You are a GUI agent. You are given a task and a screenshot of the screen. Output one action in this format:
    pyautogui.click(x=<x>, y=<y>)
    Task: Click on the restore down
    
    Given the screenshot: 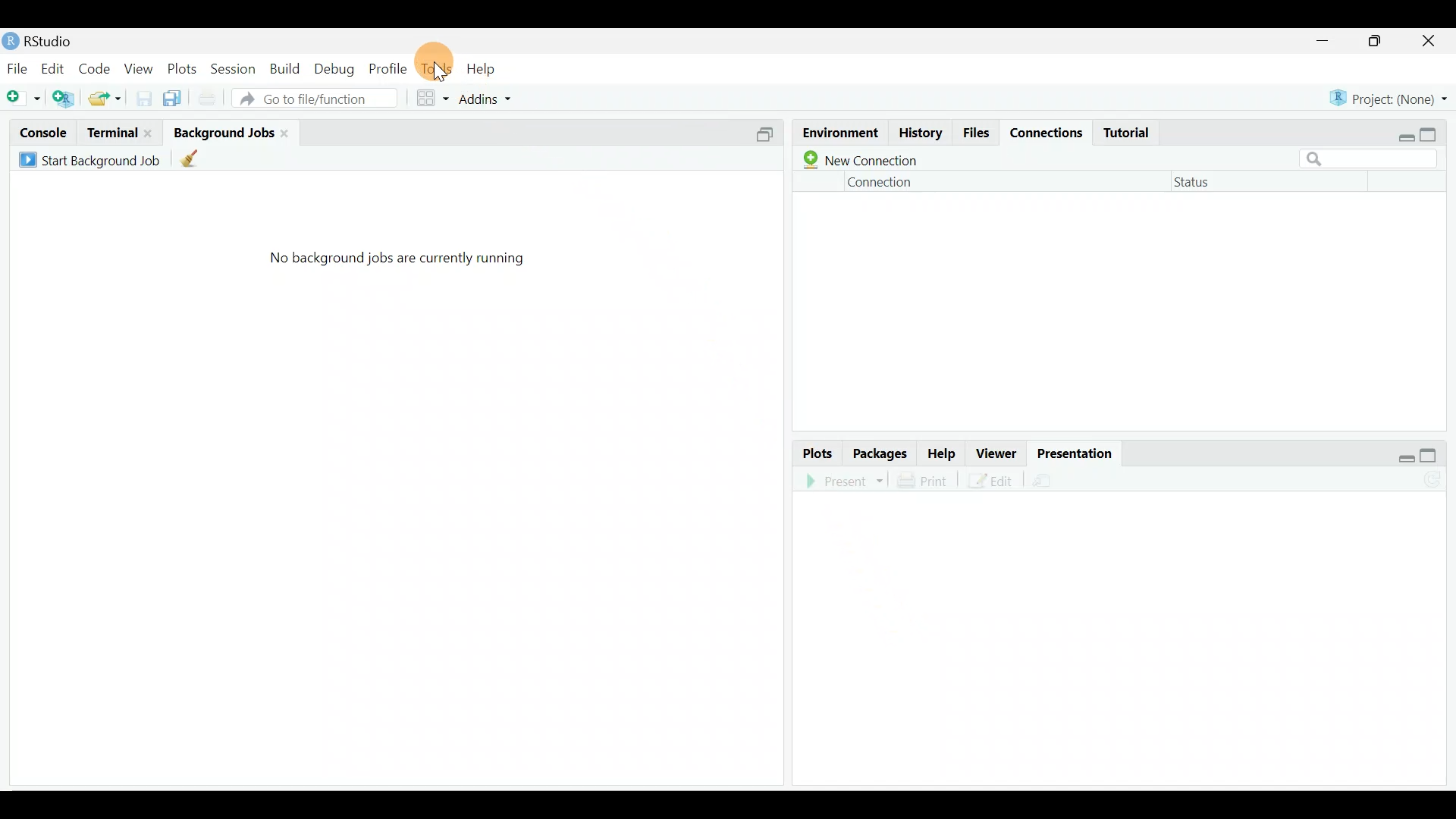 What is the action you would take?
    pyautogui.click(x=1403, y=132)
    